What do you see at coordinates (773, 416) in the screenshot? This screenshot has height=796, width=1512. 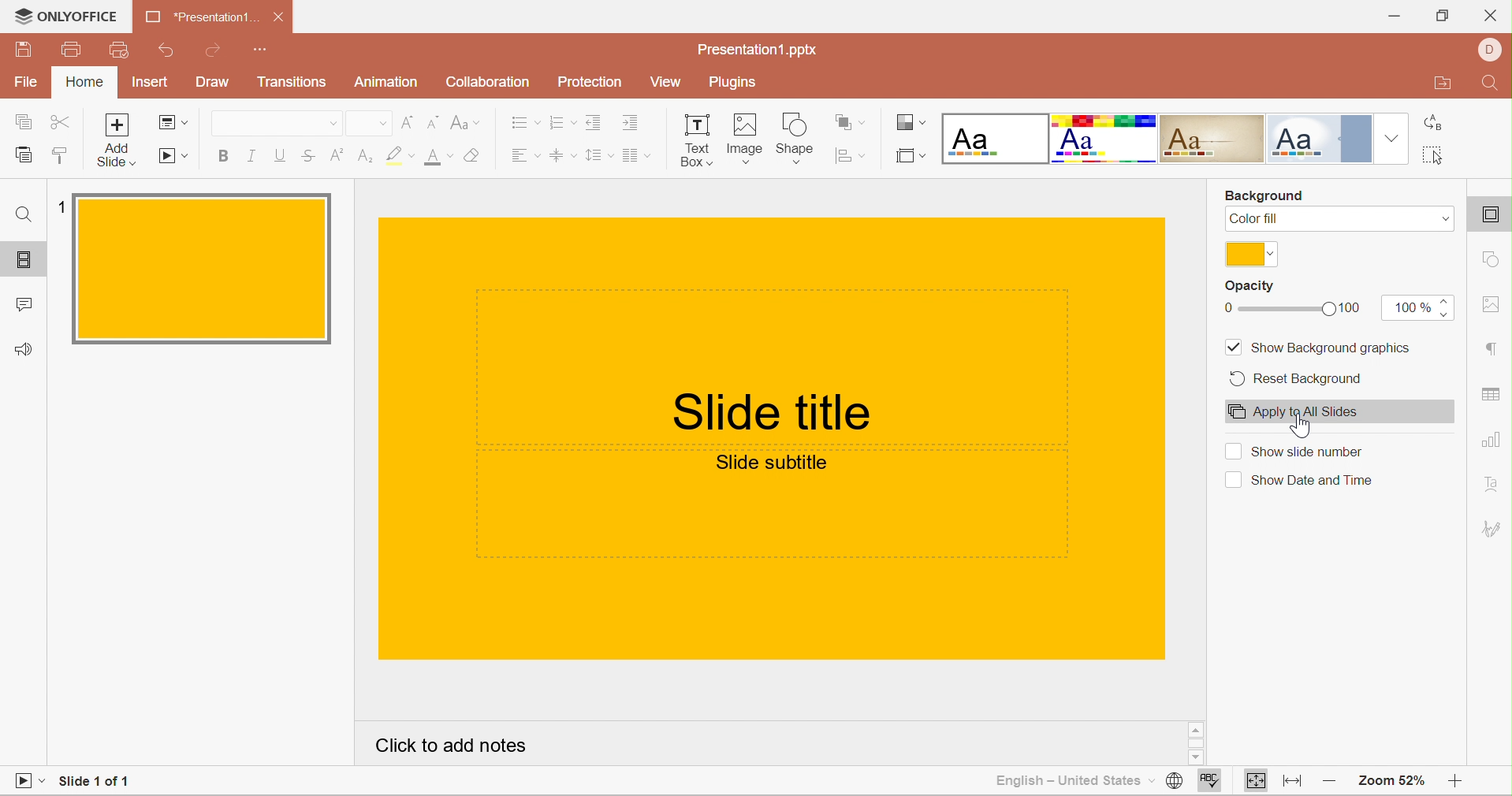 I see `Slide Title` at bounding box center [773, 416].